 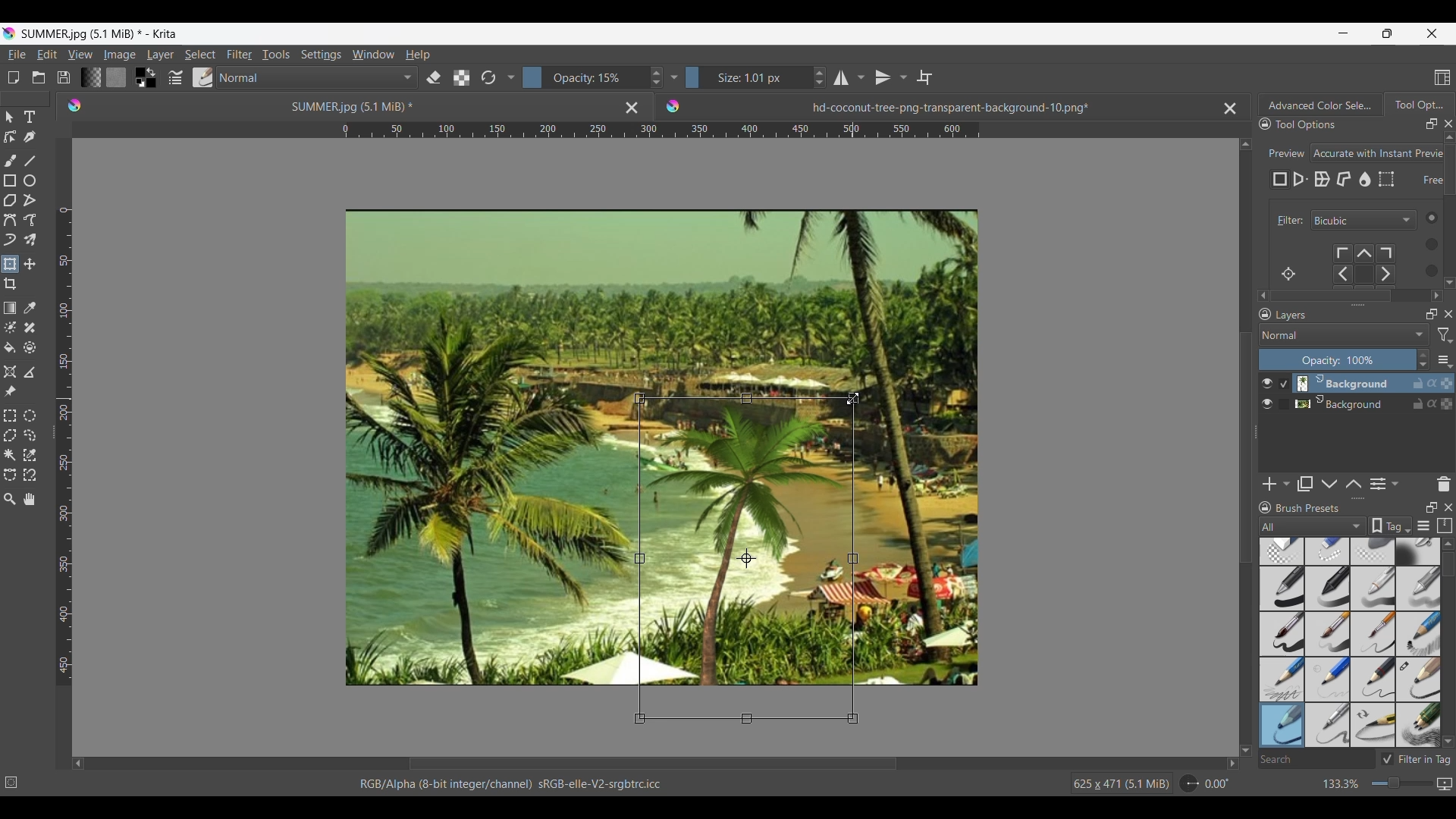 I want to click on Multibrush tool, so click(x=29, y=240).